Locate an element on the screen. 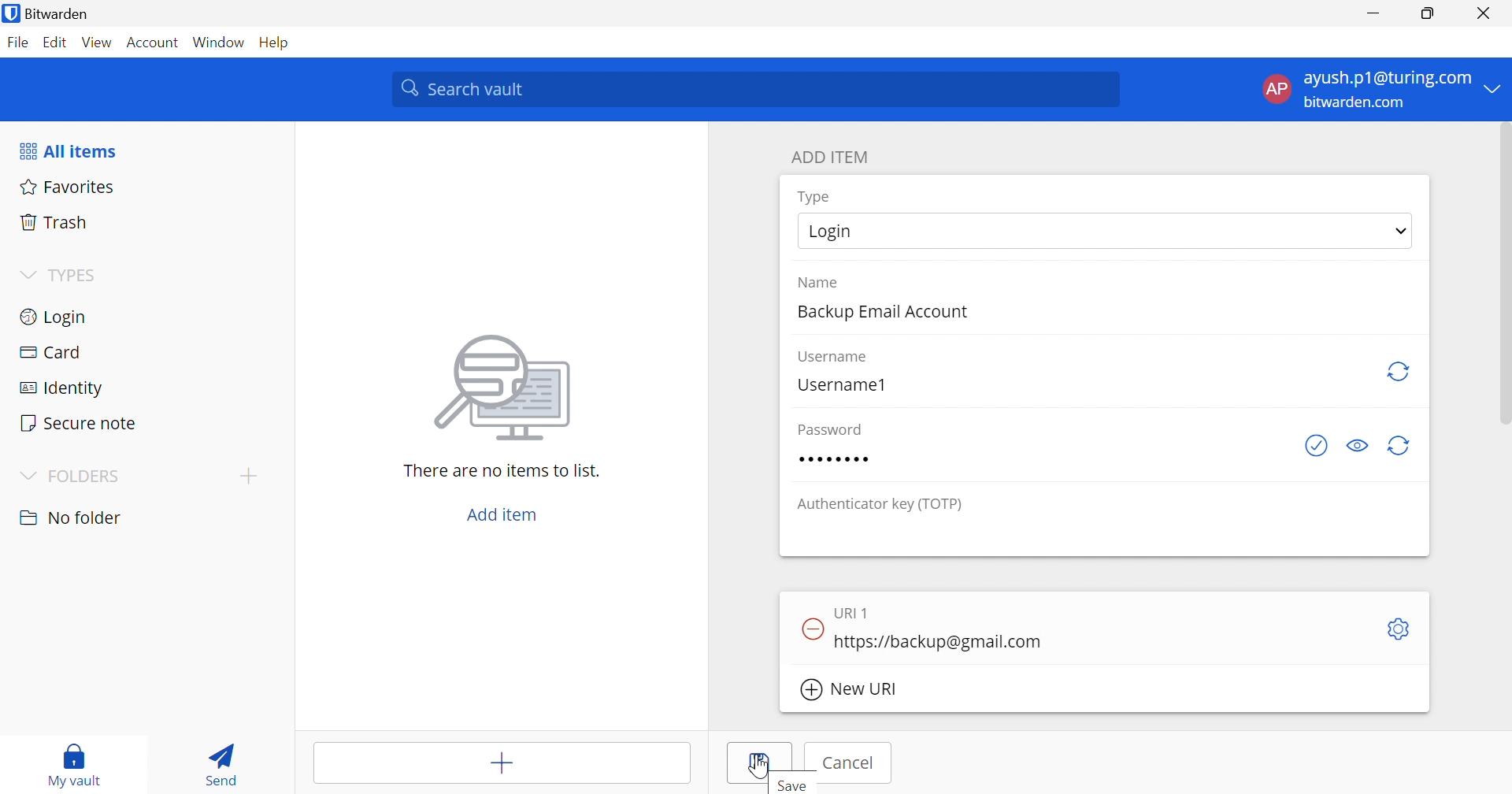  ADD ITEM is located at coordinates (830, 158).